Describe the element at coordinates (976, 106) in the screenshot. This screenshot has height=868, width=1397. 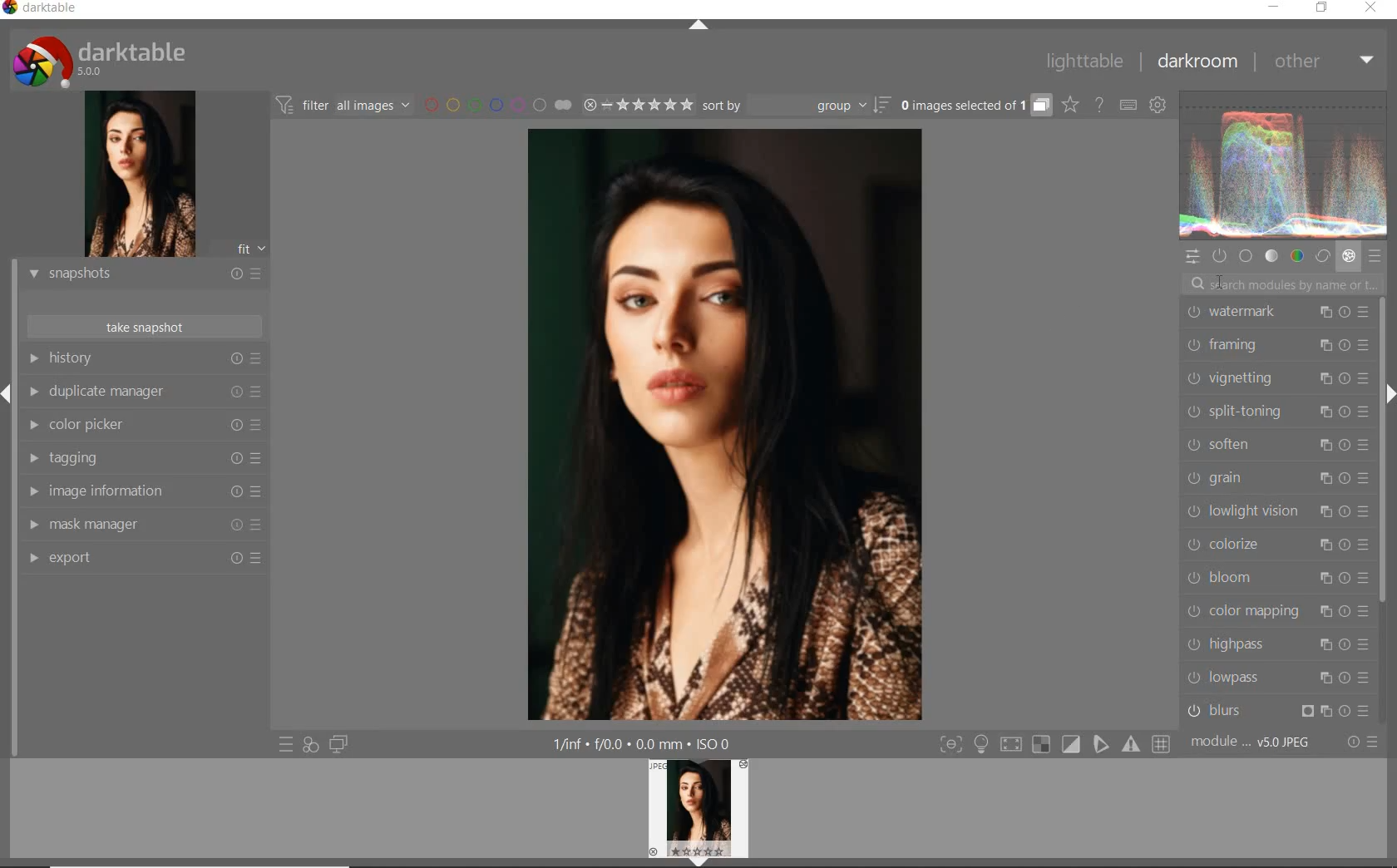
I see `grouped images` at that location.